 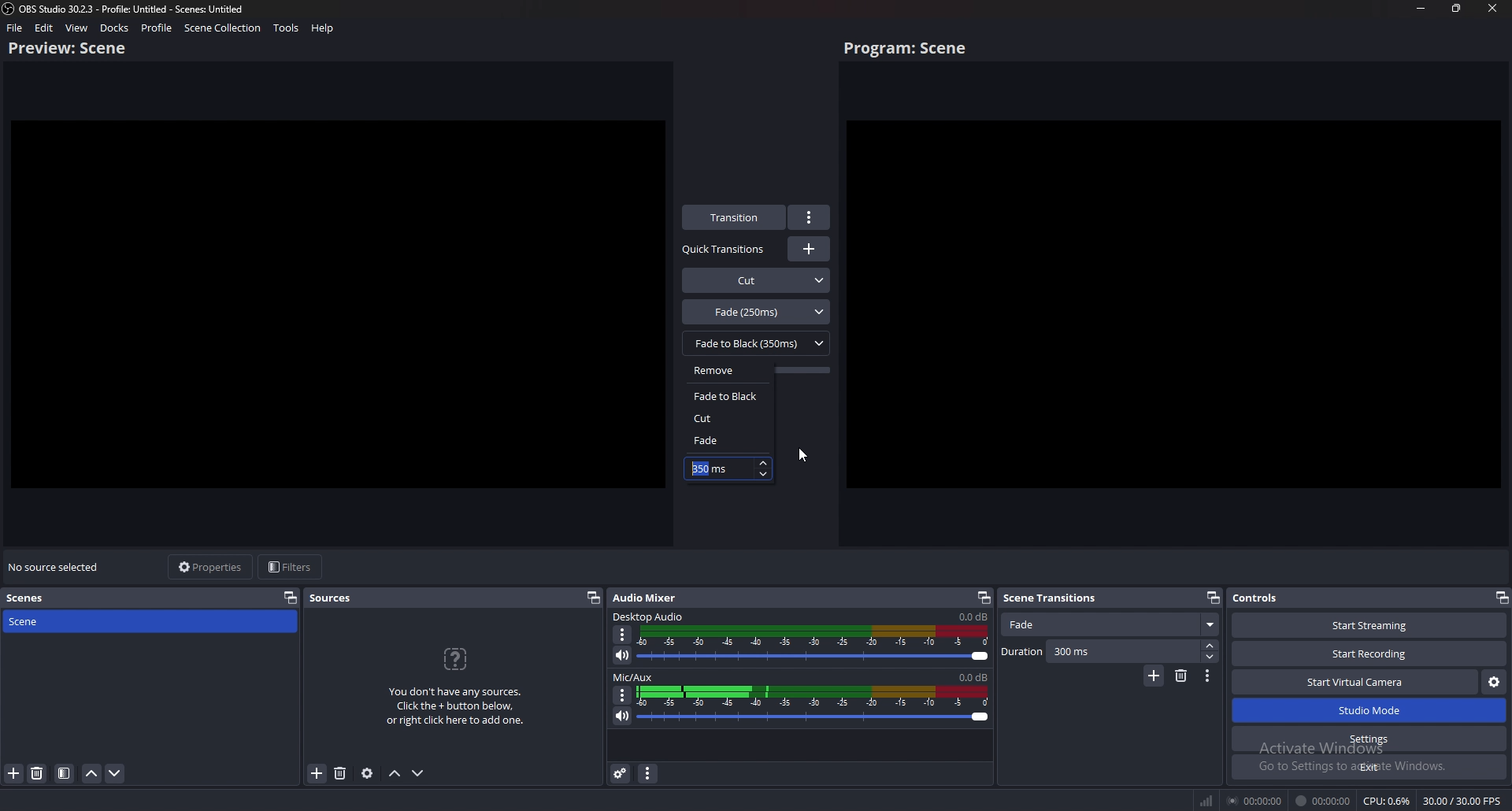 What do you see at coordinates (55, 567) in the screenshot?
I see `no source selected` at bounding box center [55, 567].